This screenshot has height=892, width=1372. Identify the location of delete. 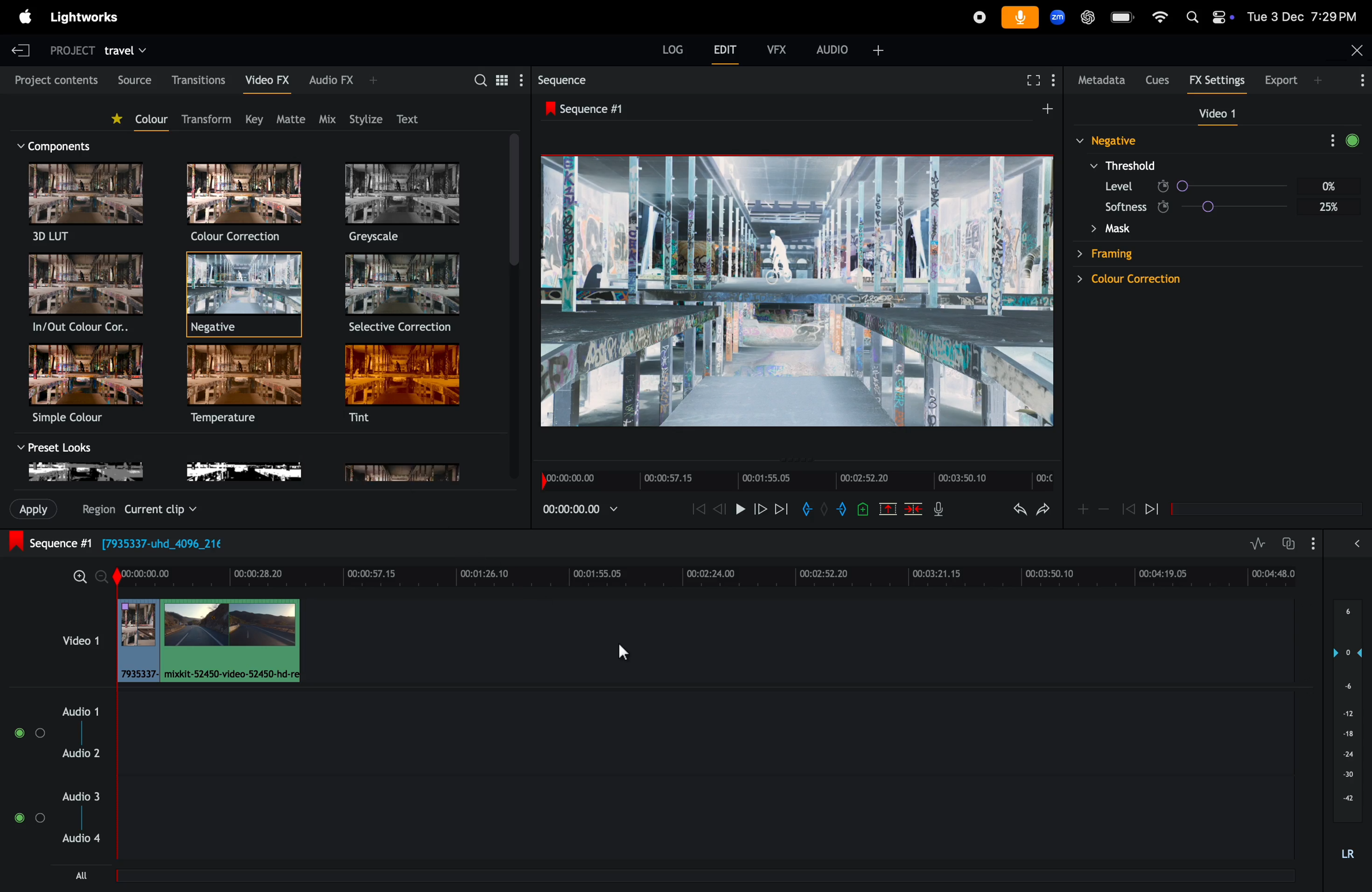
(911, 509).